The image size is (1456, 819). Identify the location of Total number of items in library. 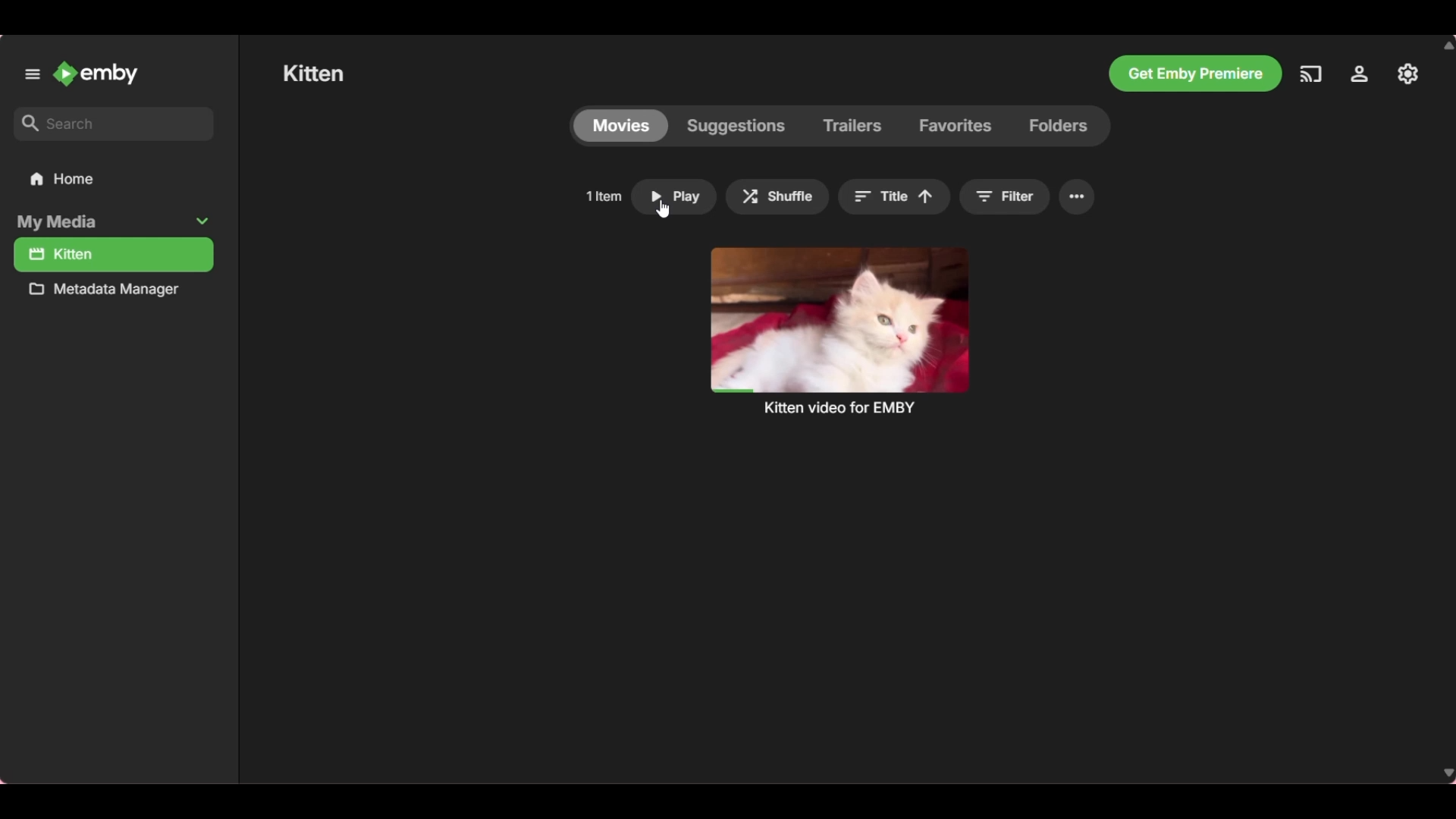
(603, 196).